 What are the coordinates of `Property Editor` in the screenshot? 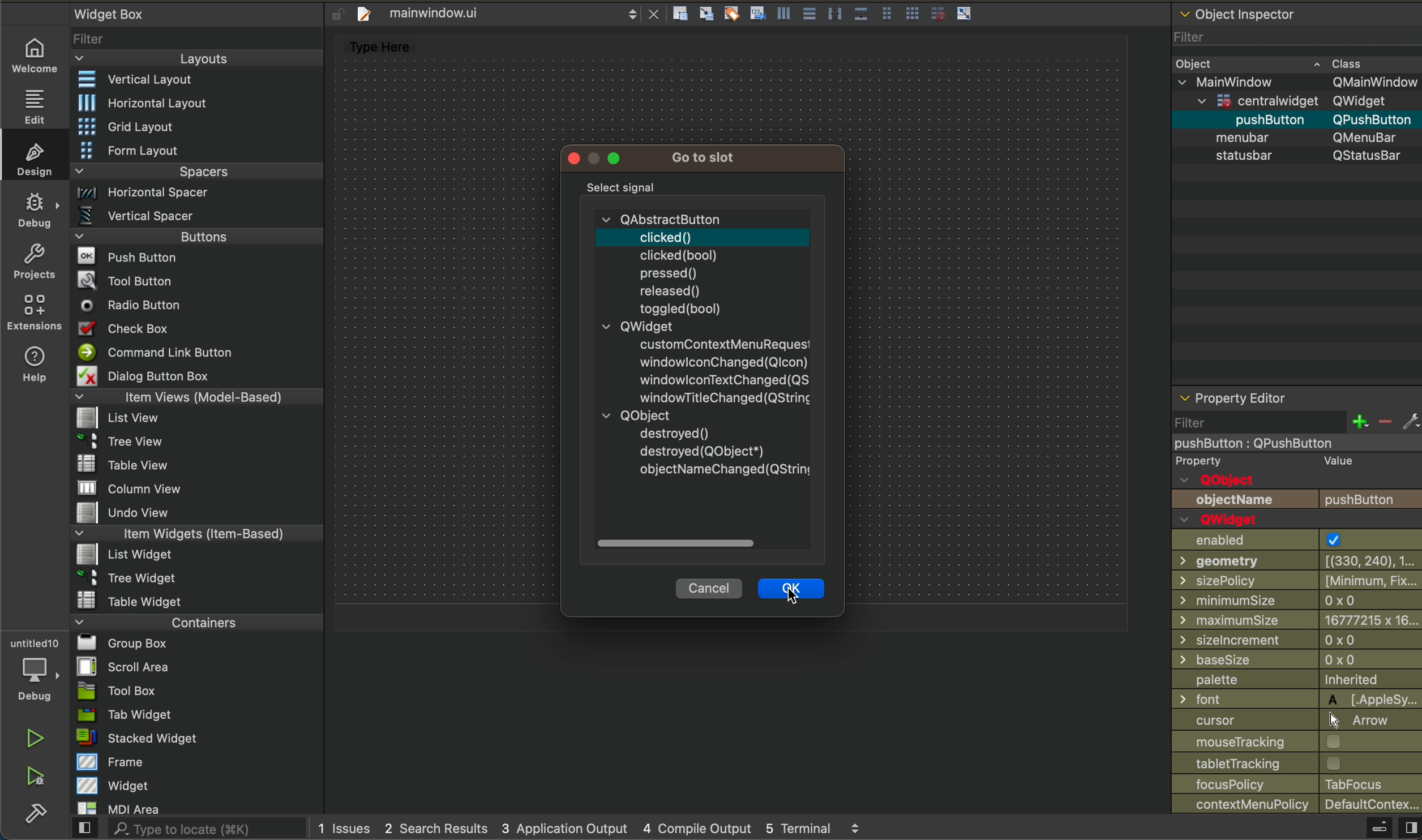 It's located at (1234, 397).